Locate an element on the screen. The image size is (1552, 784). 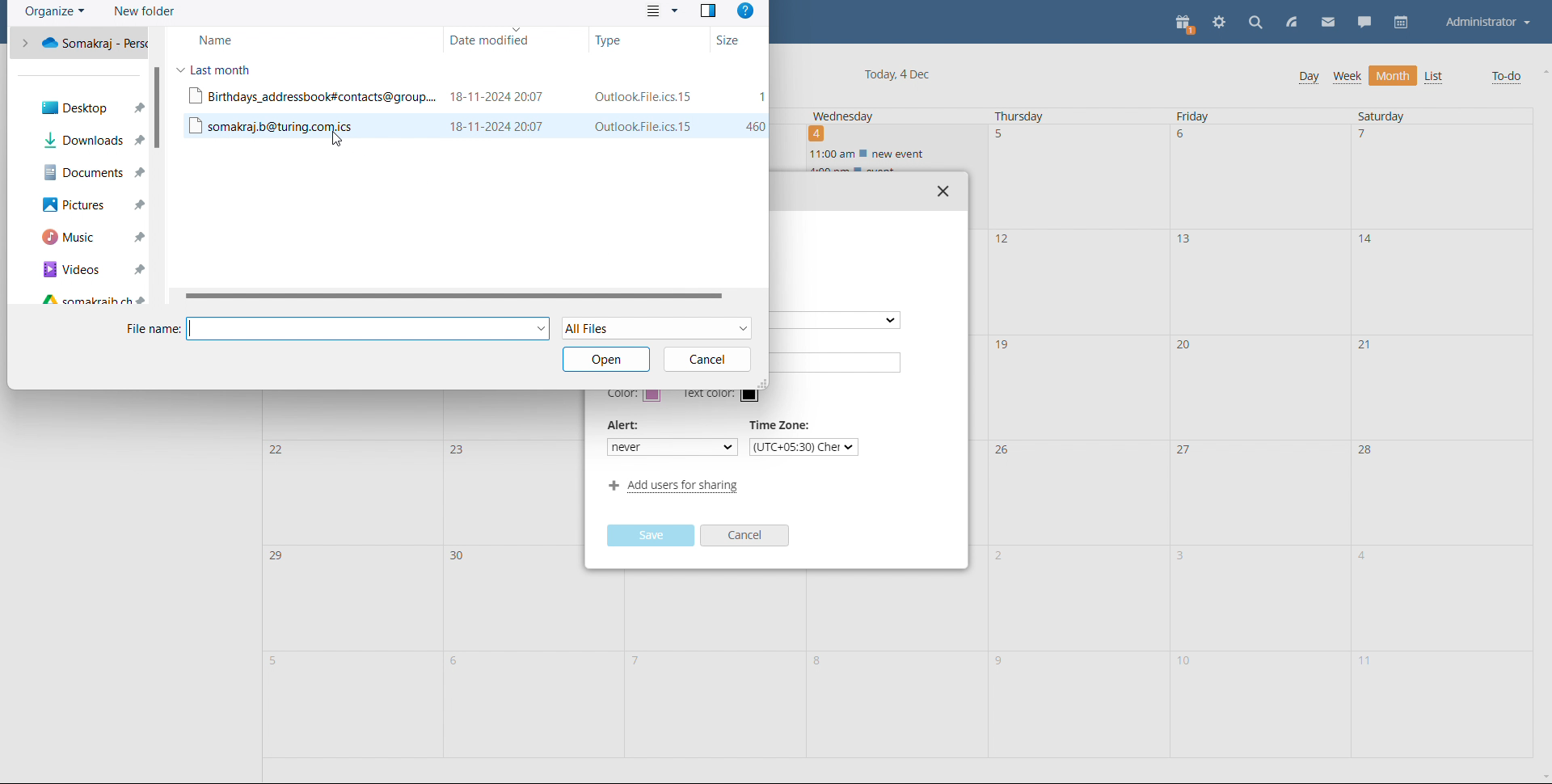
videos is located at coordinates (88, 268).